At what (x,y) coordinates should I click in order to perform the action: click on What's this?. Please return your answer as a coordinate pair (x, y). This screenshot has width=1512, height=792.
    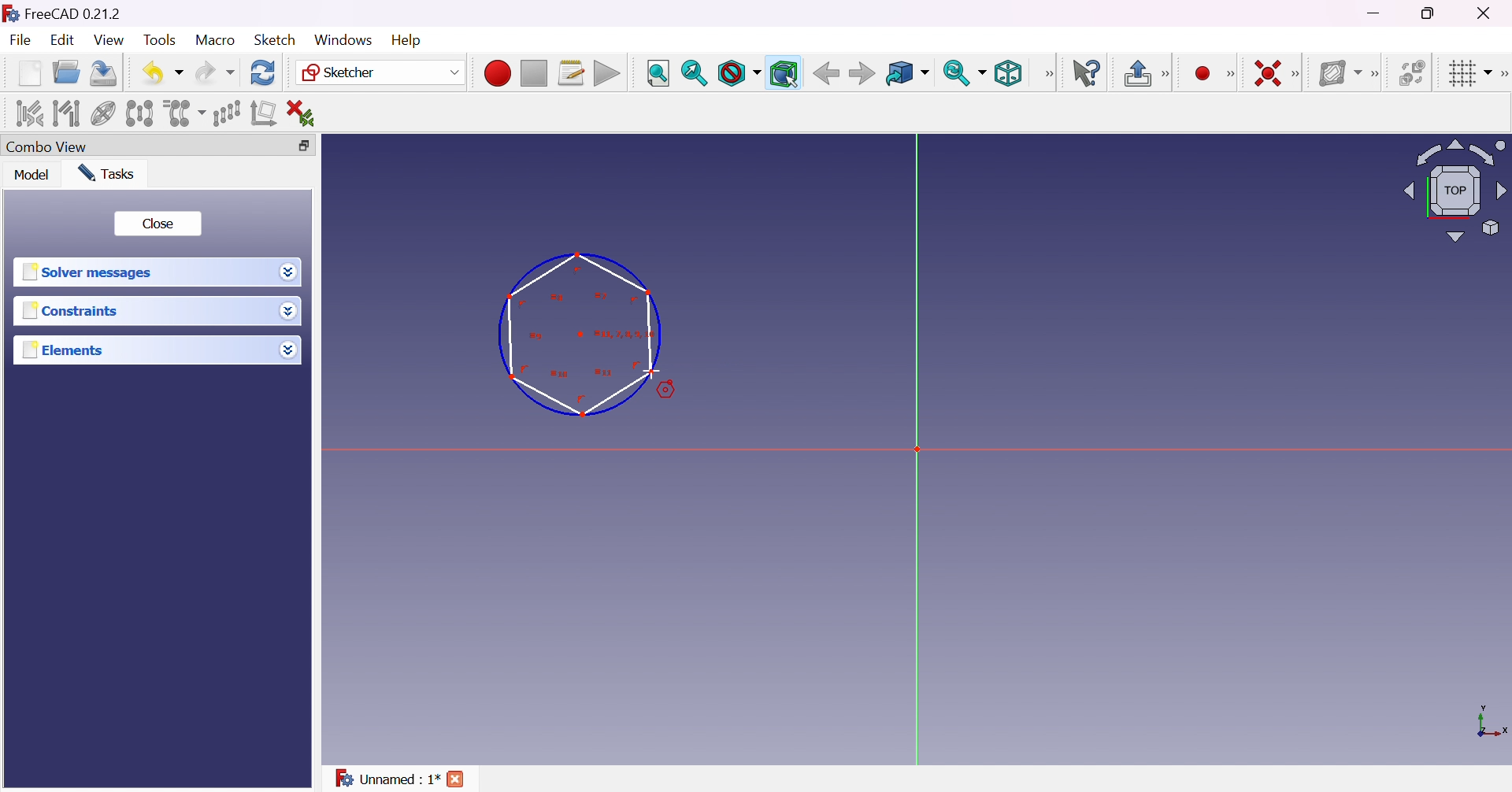
    Looking at the image, I should click on (1086, 72).